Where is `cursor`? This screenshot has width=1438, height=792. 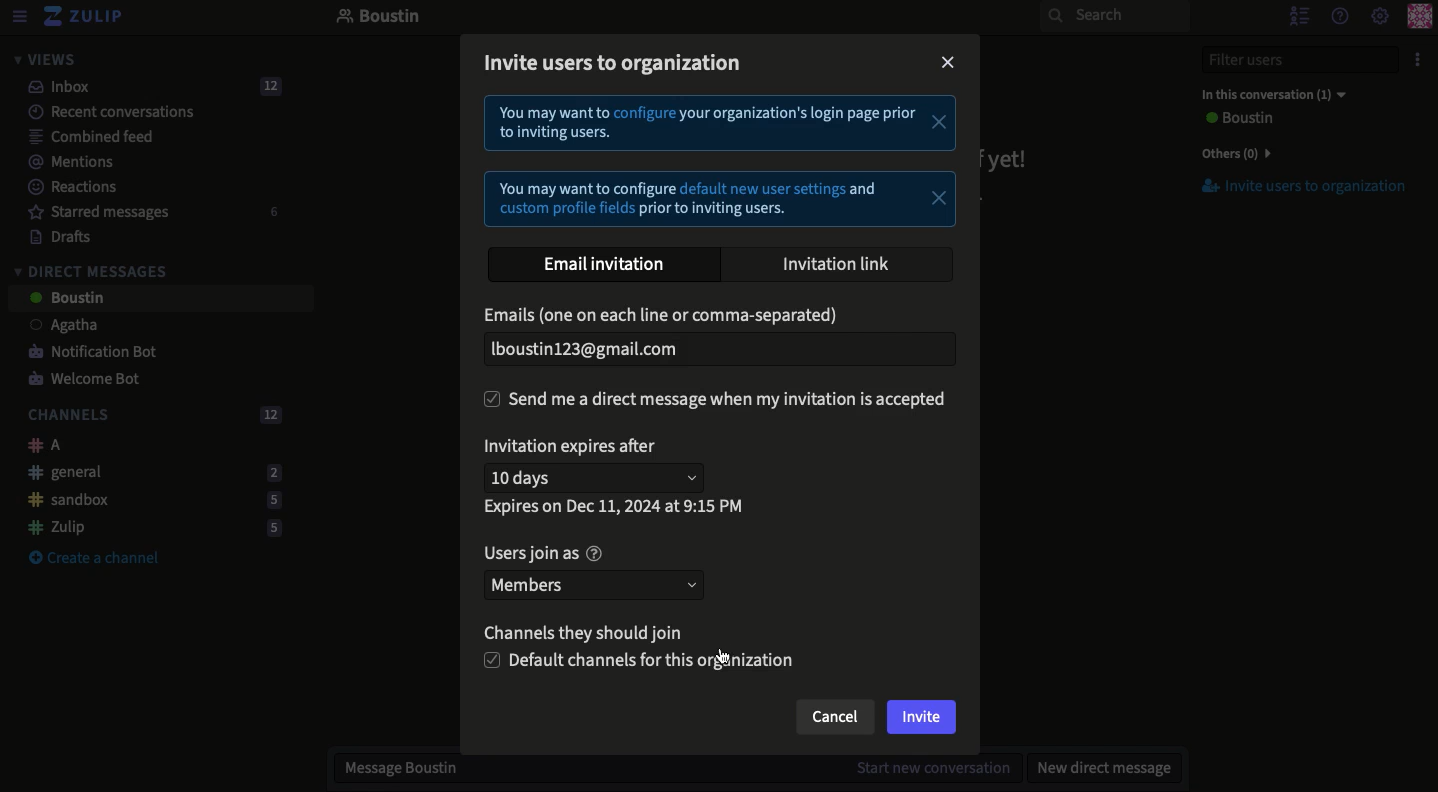 cursor is located at coordinates (730, 652).